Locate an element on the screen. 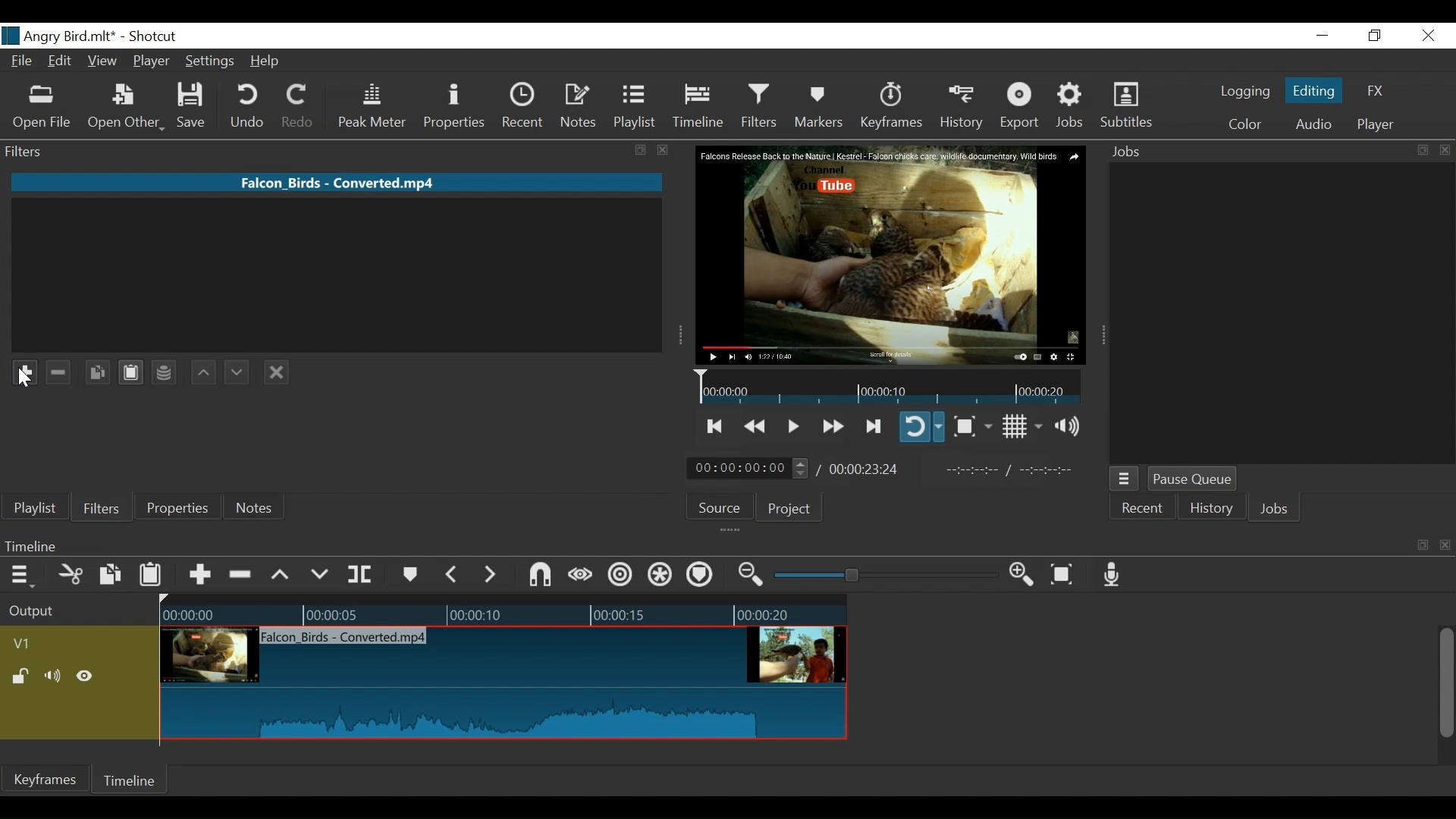  Timeline is located at coordinates (127, 783).